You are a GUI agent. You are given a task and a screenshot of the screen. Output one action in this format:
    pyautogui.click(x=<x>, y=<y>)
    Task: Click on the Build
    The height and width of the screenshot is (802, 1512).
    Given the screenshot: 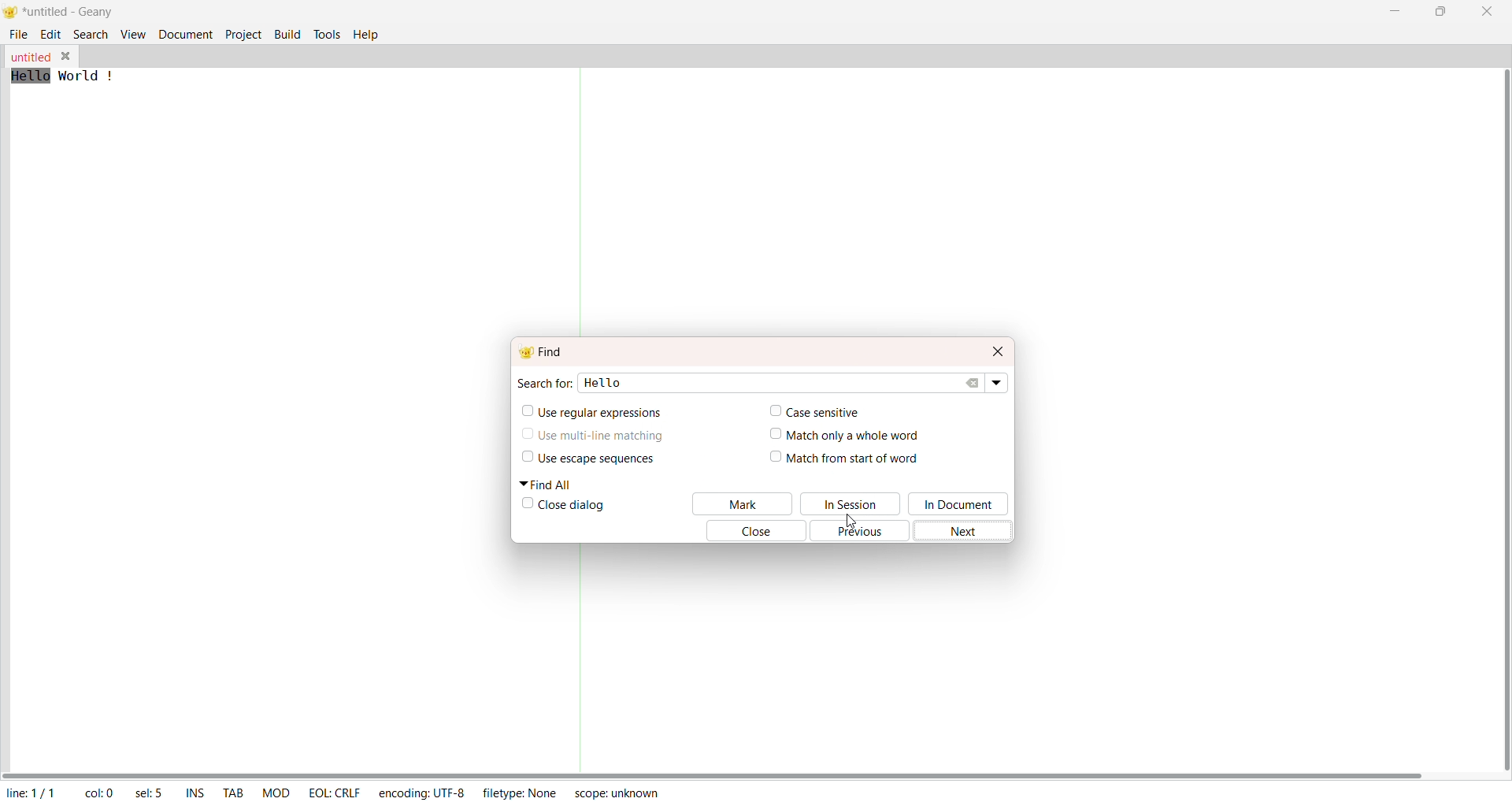 What is the action you would take?
    pyautogui.click(x=287, y=33)
    